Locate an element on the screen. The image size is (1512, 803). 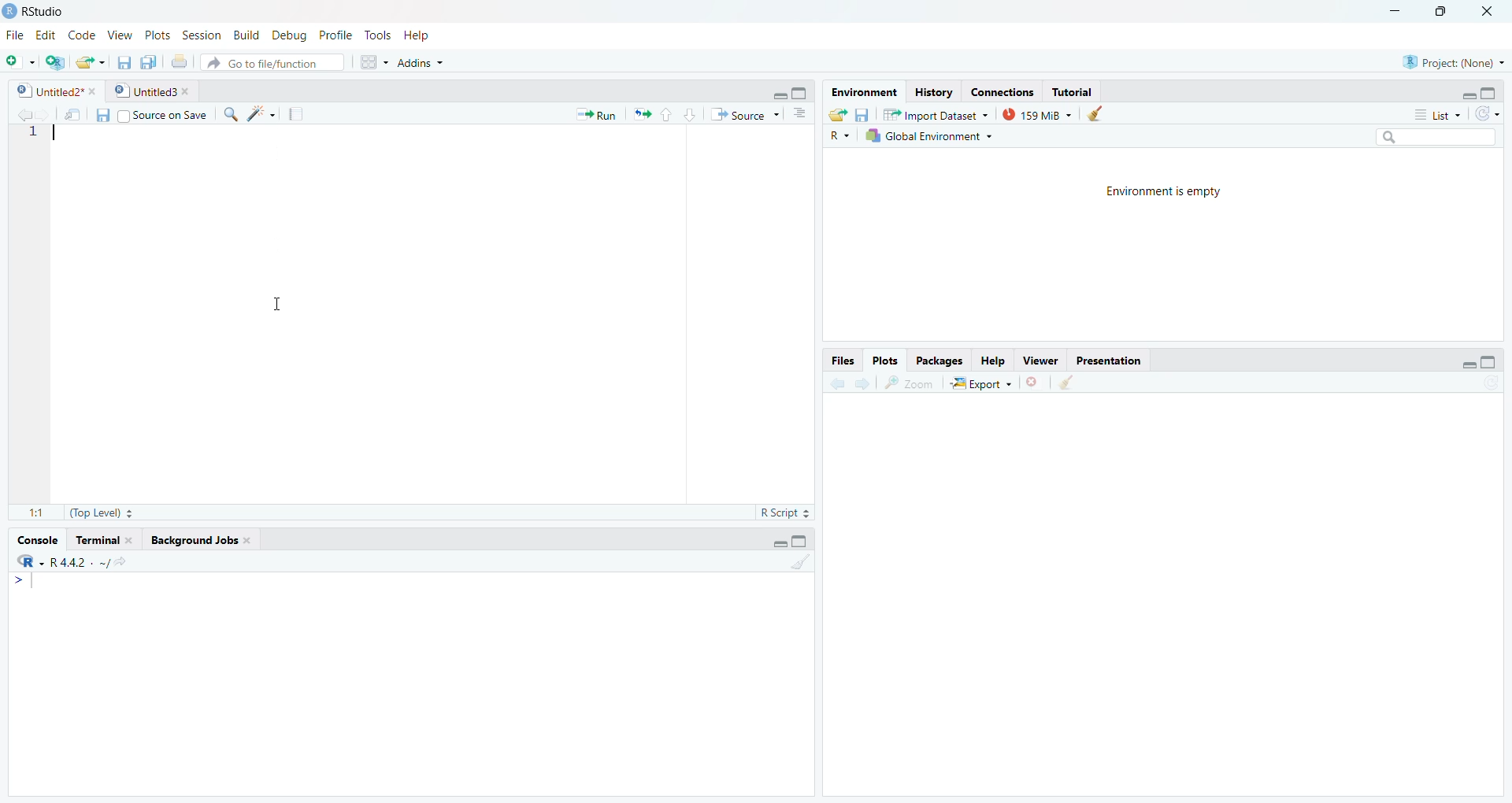
Import Dataset  is located at coordinates (935, 113).